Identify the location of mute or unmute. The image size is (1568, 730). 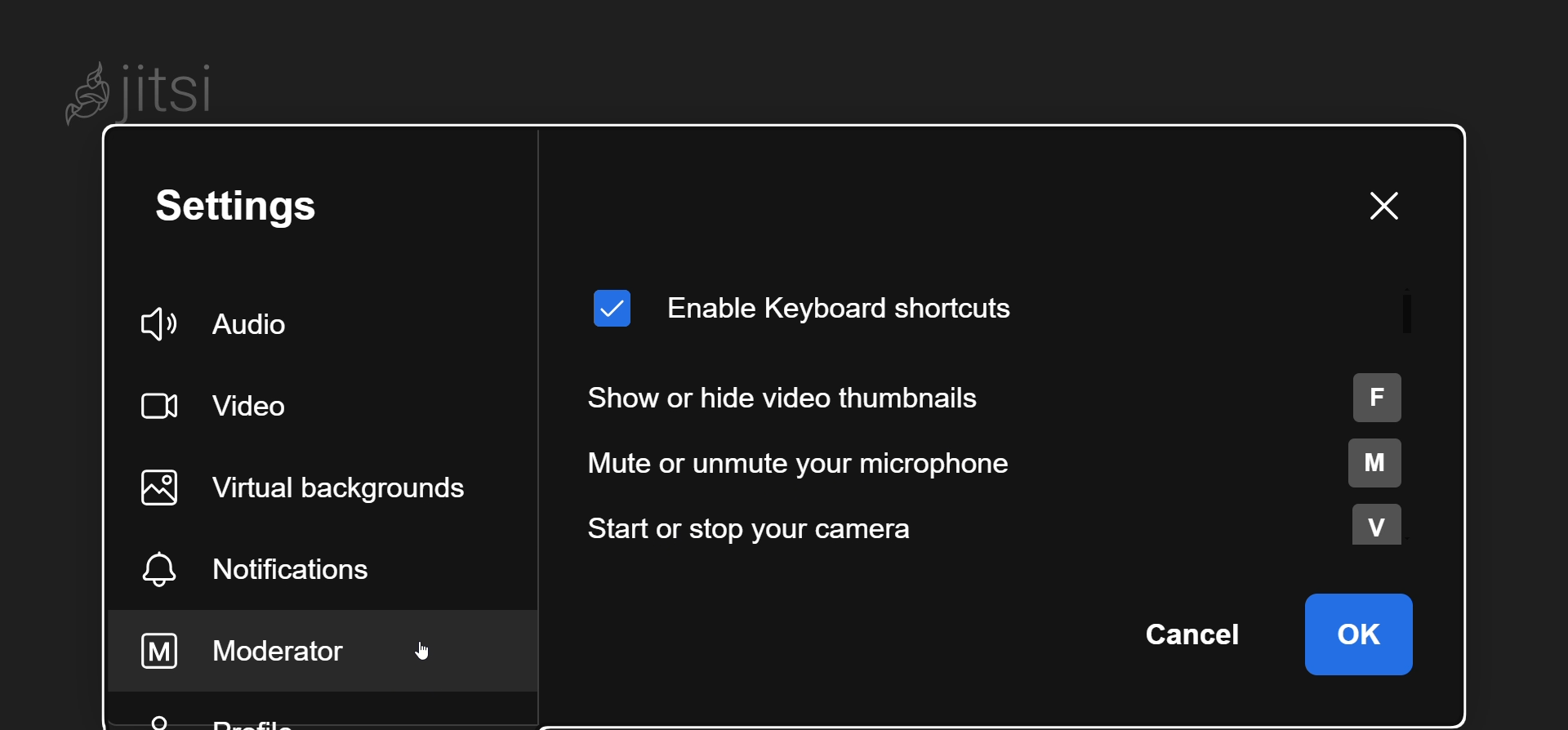
(990, 461).